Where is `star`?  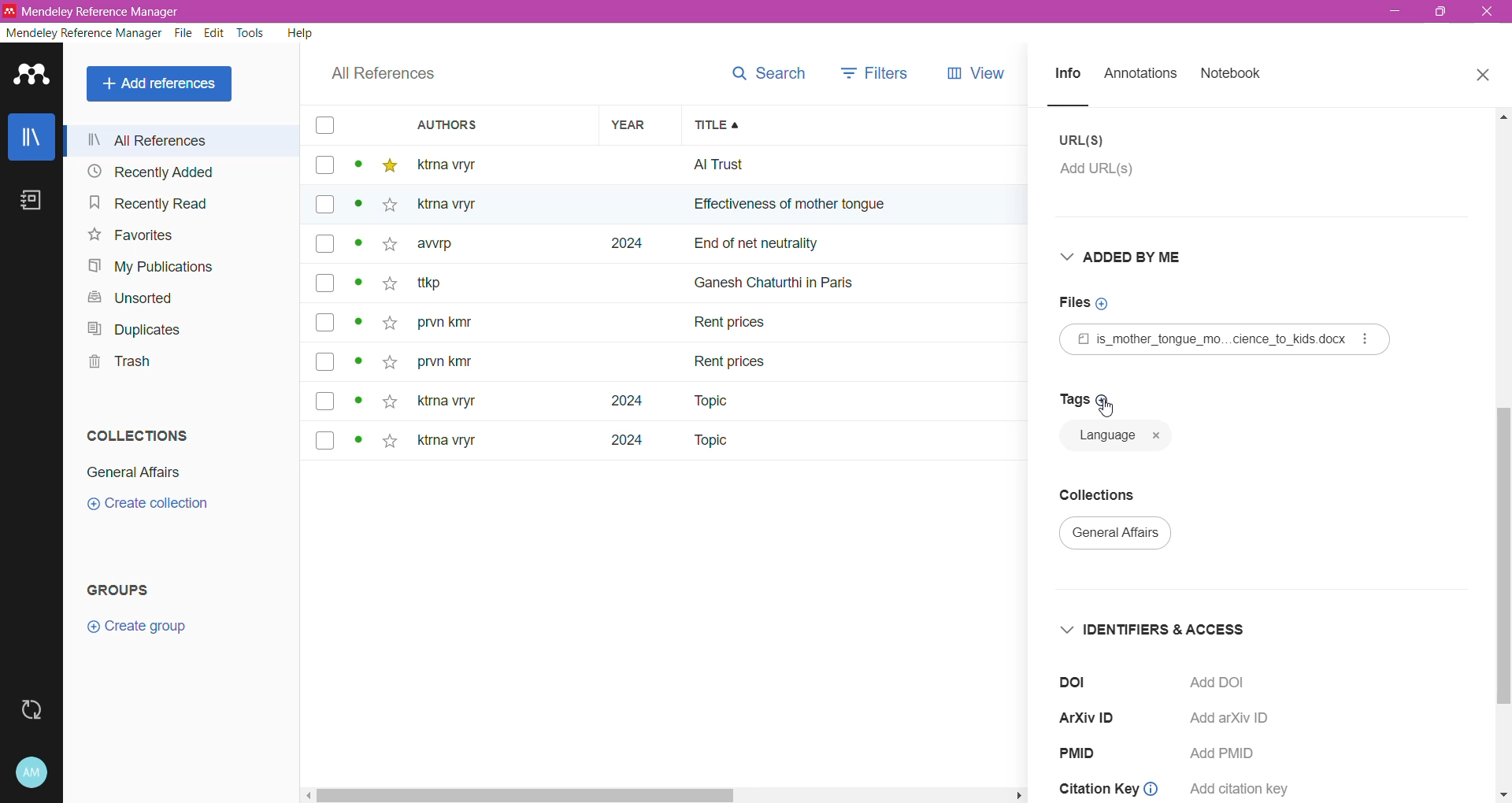
star is located at coordinates (388, 358).